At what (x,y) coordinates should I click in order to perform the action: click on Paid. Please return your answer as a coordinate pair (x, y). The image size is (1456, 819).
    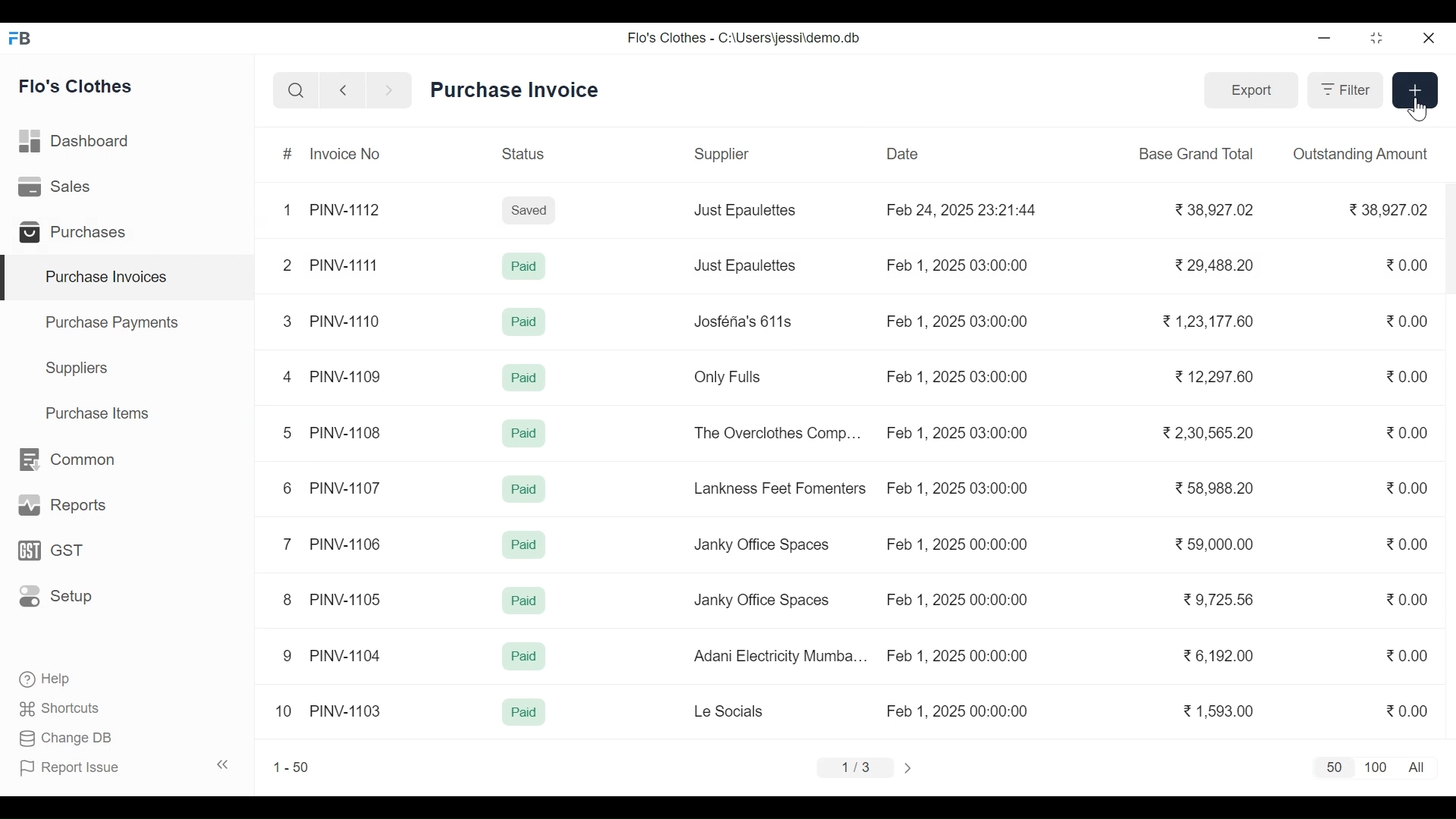
    Looking at the image, I should click on (524, 267).